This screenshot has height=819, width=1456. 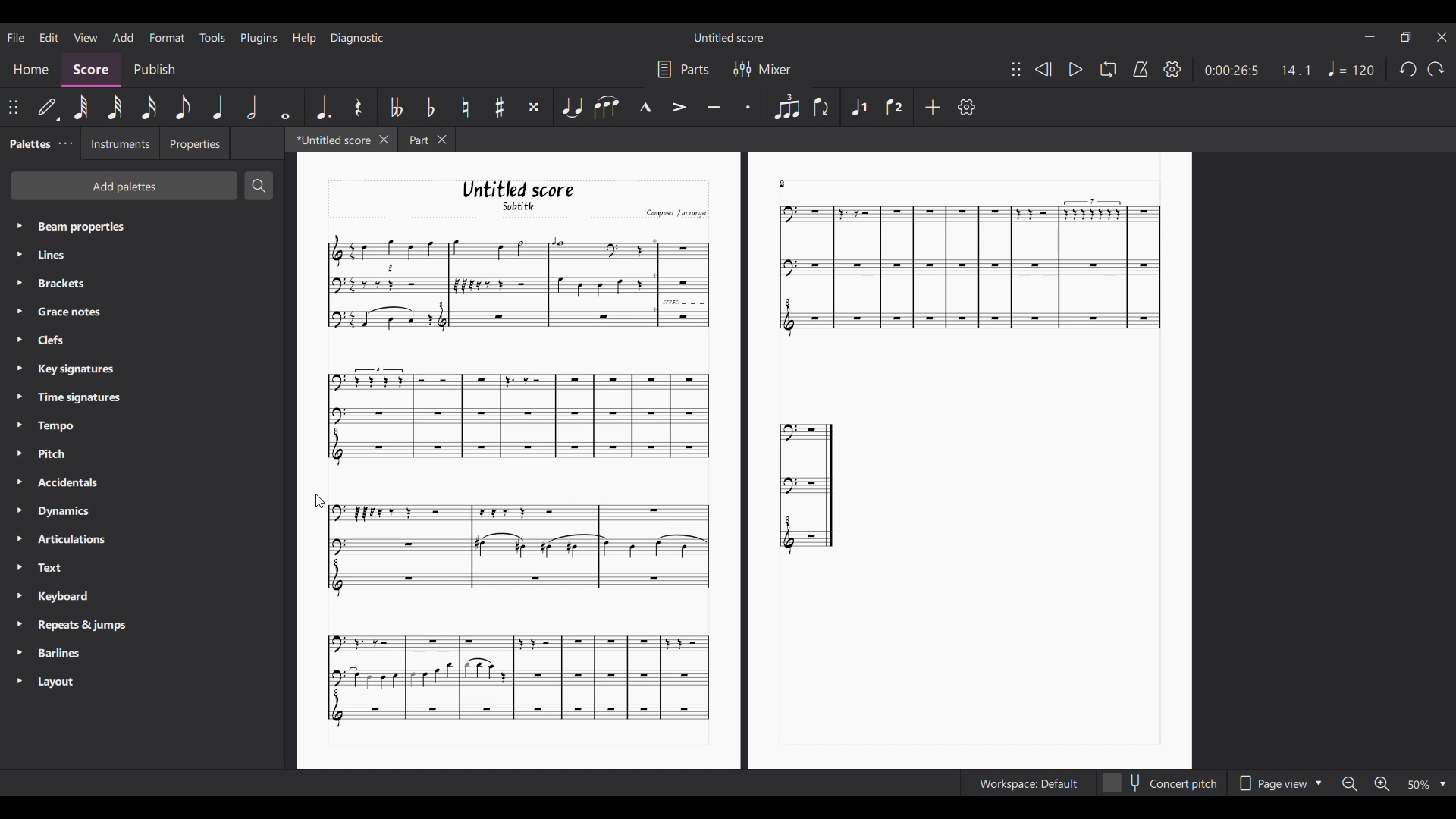 What do you see at coordinates (1025, 784) in the screenshot?
I see `workspace Default` at bounding box center [1025, 784].